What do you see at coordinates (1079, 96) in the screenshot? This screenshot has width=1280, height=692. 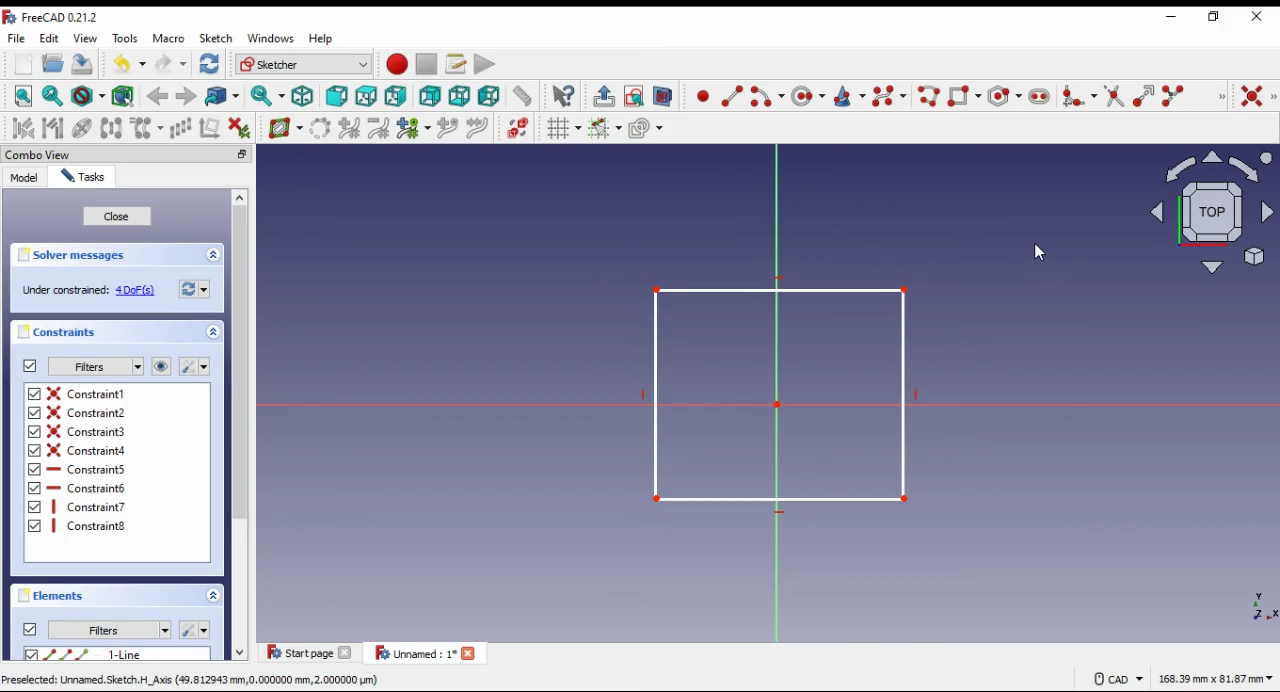 I see `create fillet` at bounding box center [1079, 96].